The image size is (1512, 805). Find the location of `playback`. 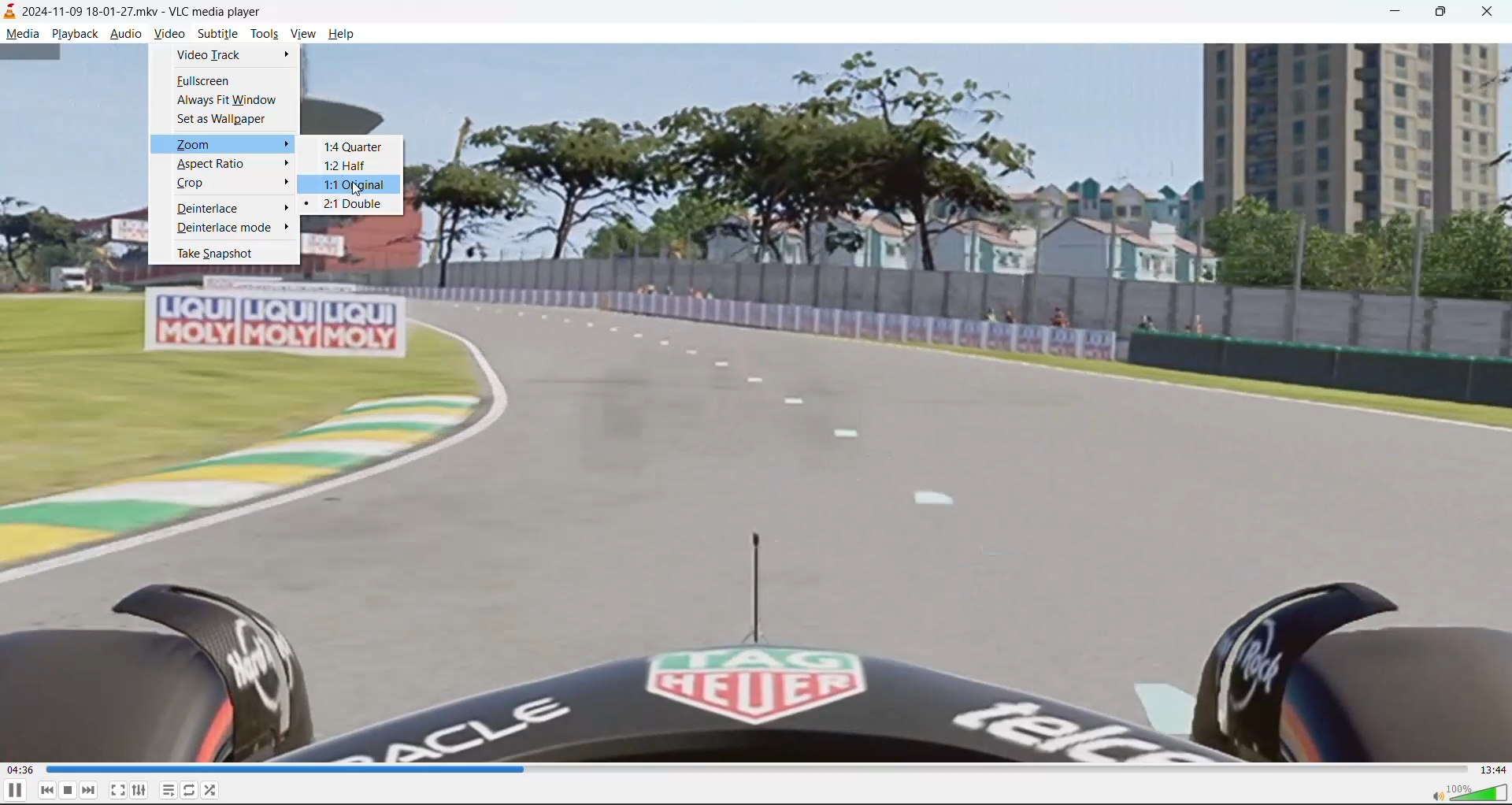

playback is located at coordinates (75, 35).